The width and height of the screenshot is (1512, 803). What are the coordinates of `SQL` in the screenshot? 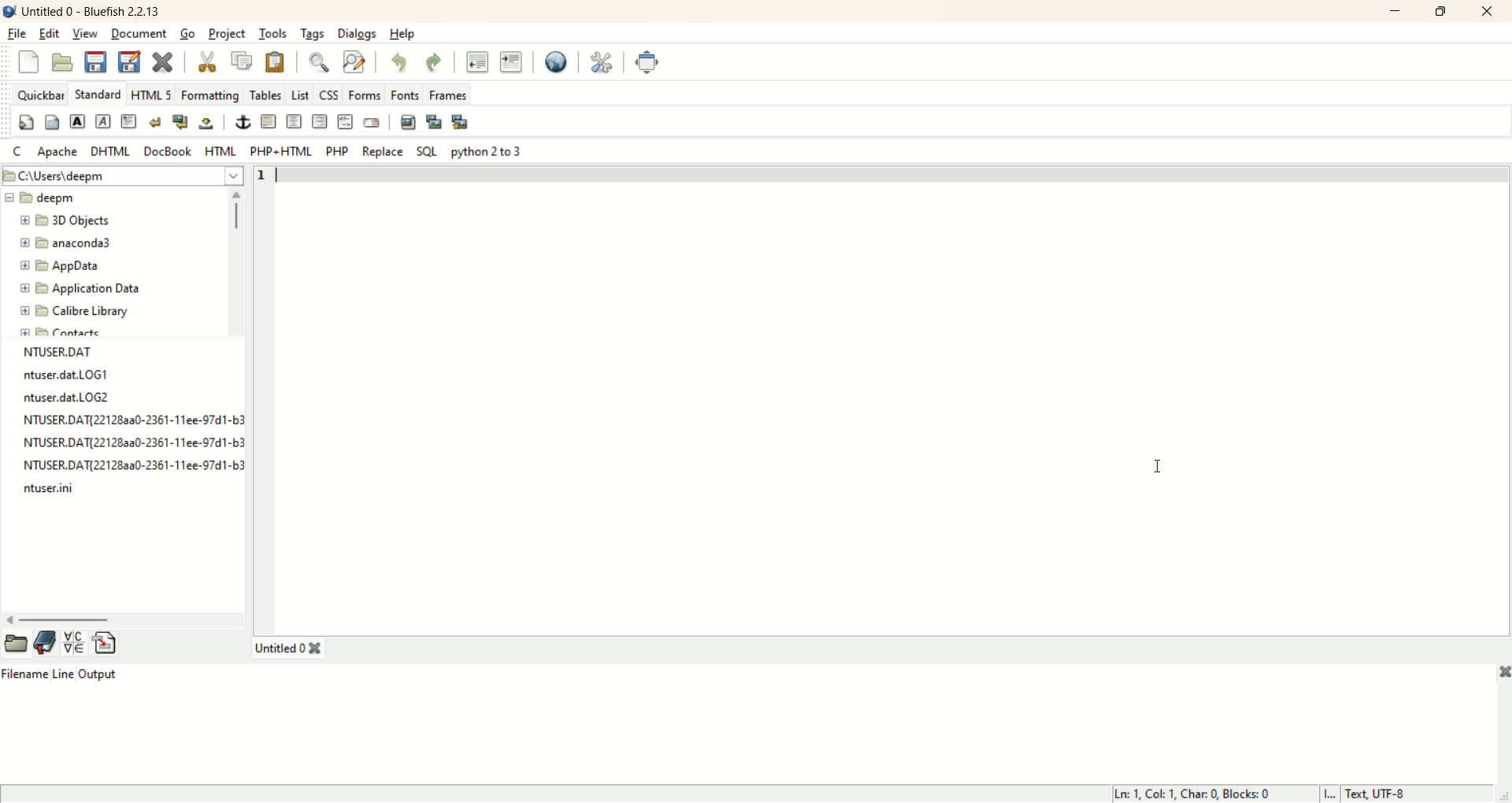 It's located at (426, 151).